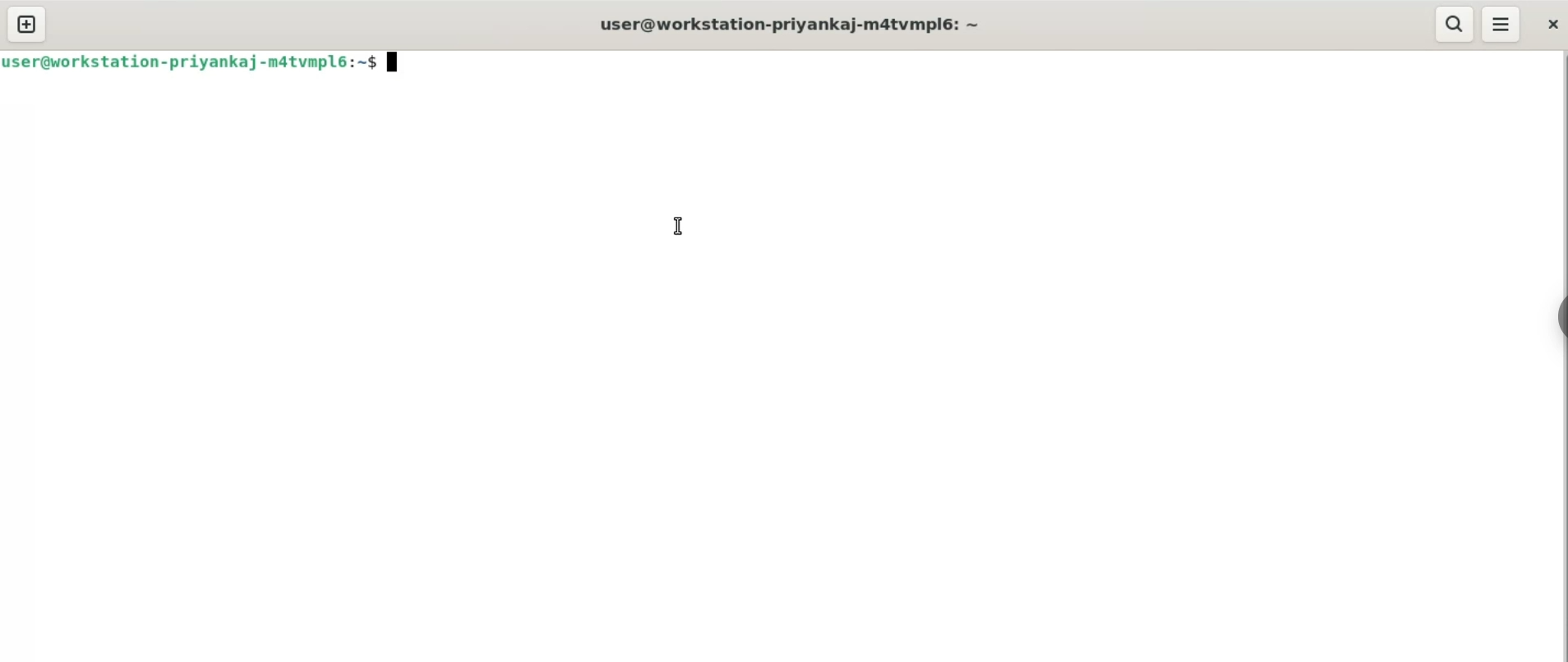 The width and height of the screenshot is (1568, 662). Describe the element at coordinates (674, 225) in the screenshot. I see `cursor` at that location.